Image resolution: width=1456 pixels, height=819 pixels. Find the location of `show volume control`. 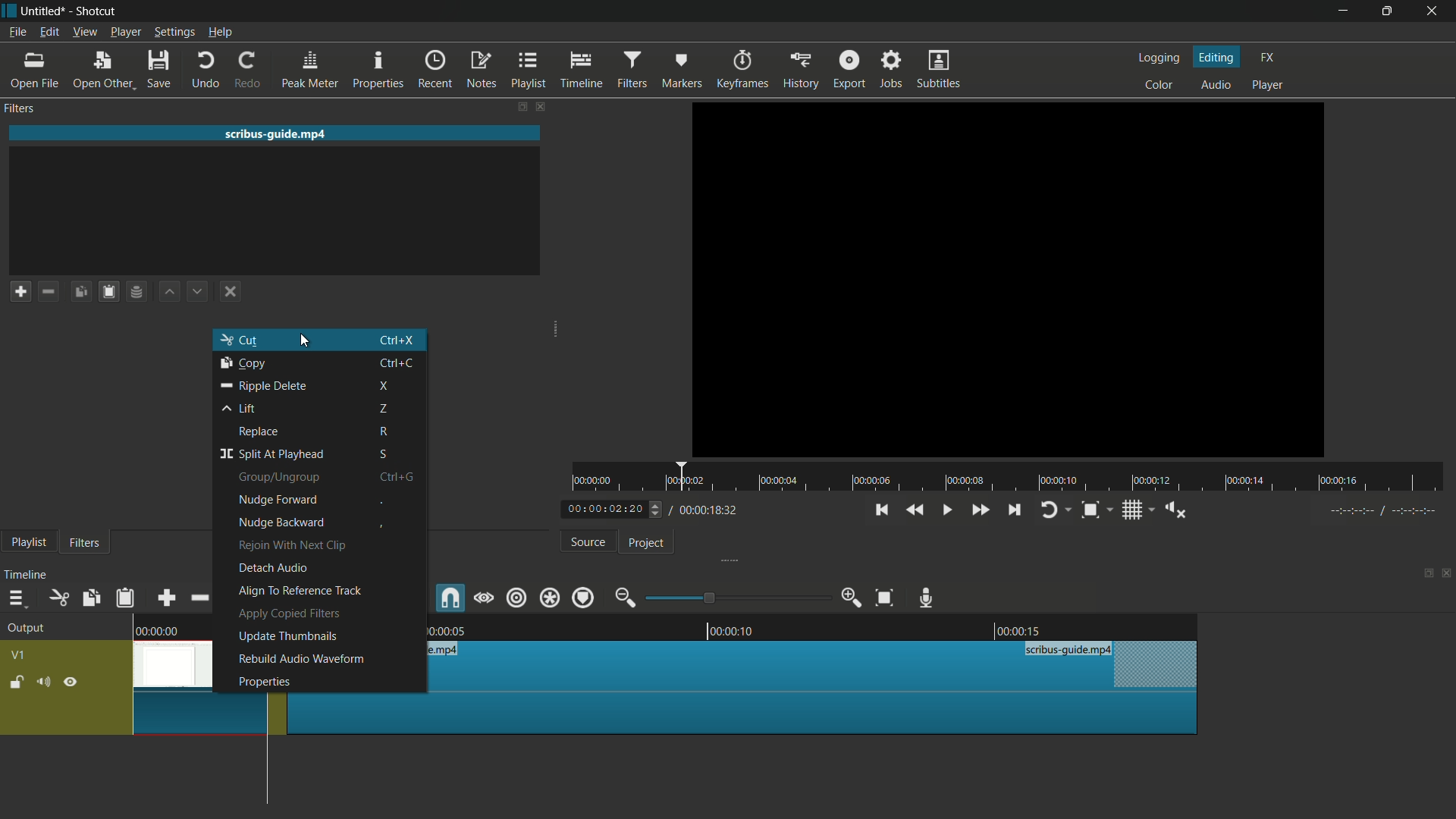

show volume control is located at coordinates (1175, 510).